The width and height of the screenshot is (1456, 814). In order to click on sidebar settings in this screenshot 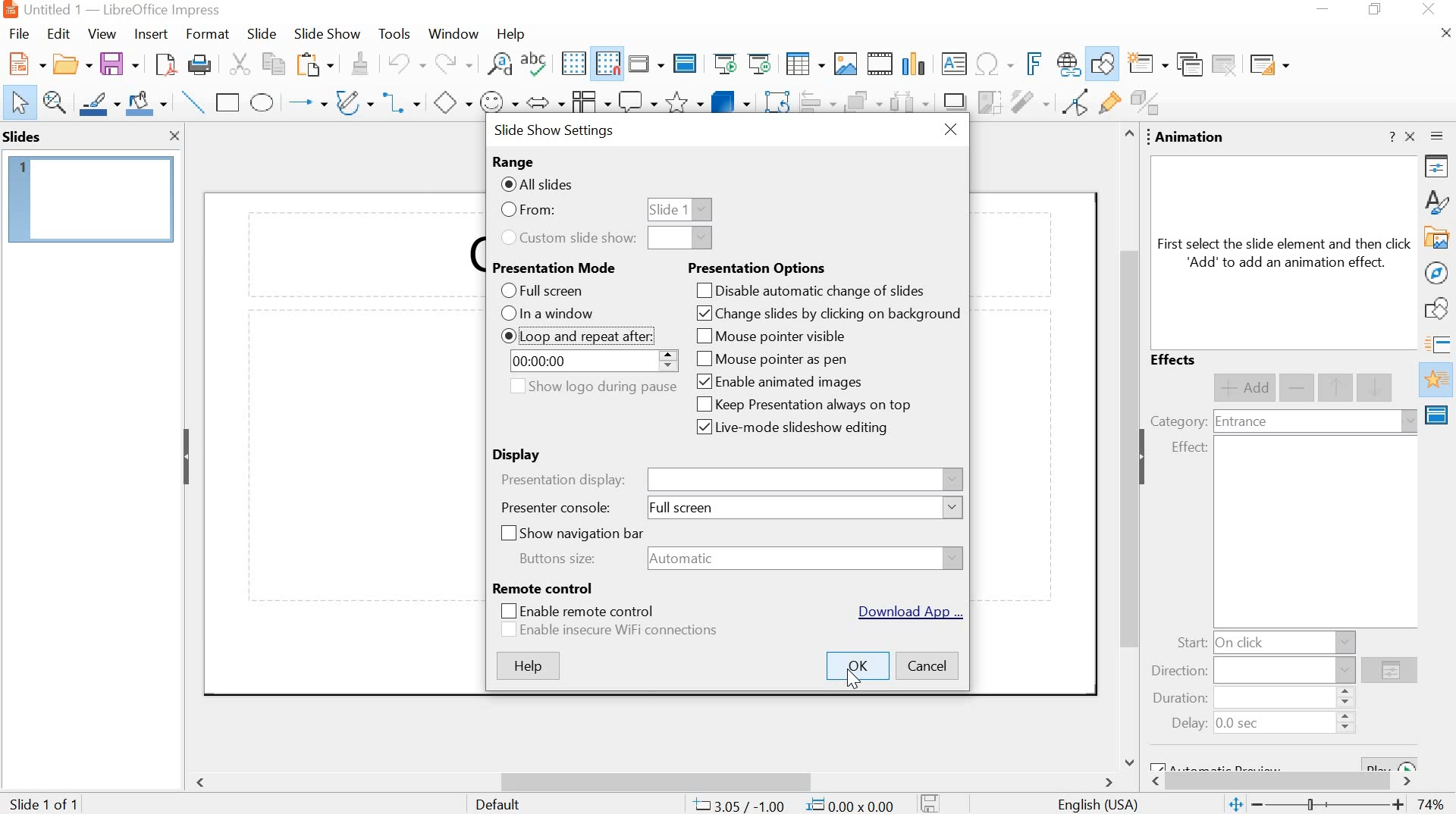, I will do `click(1439, 139)`.